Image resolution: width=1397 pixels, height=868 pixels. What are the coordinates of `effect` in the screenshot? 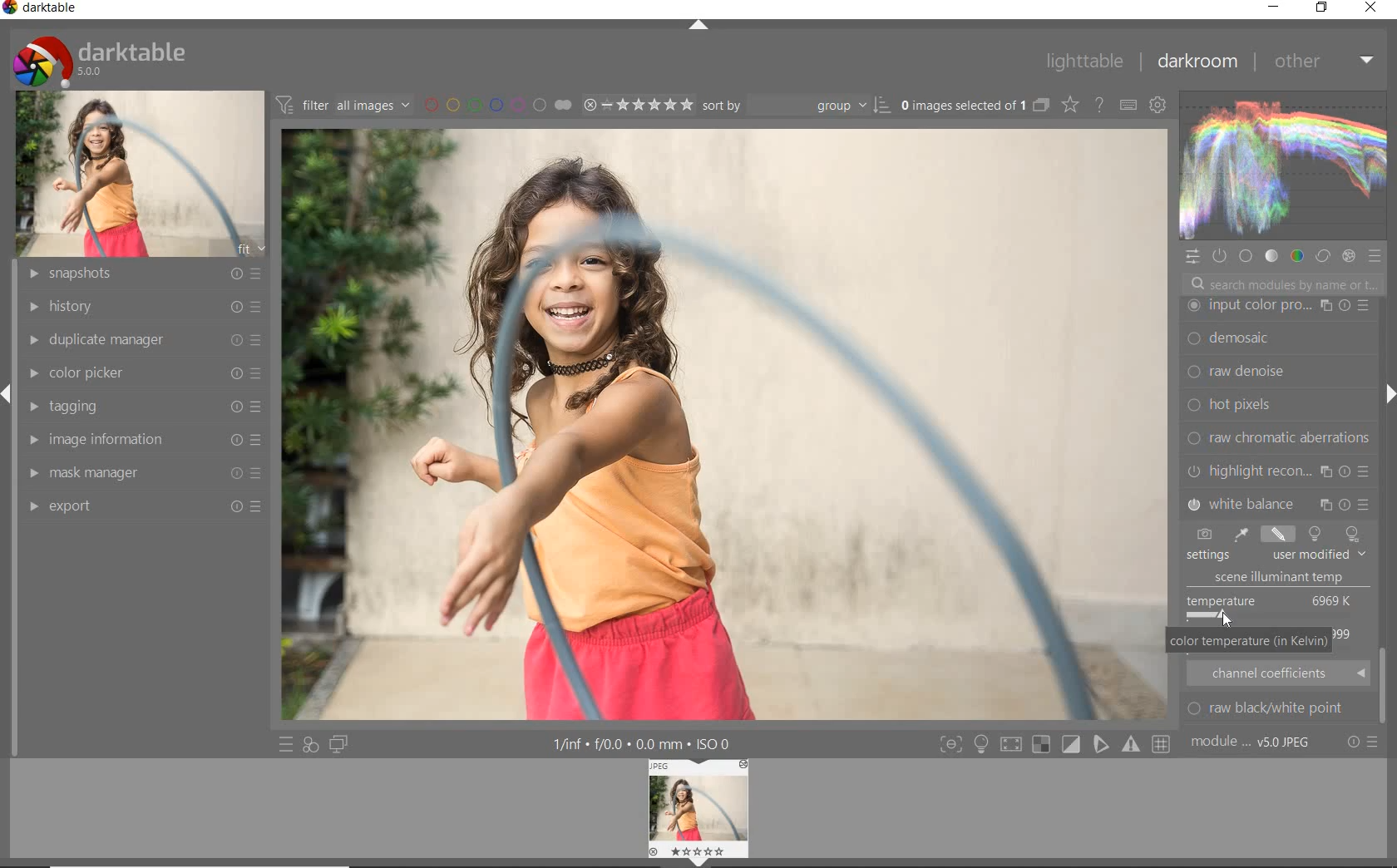 It's located at (1348, 255).